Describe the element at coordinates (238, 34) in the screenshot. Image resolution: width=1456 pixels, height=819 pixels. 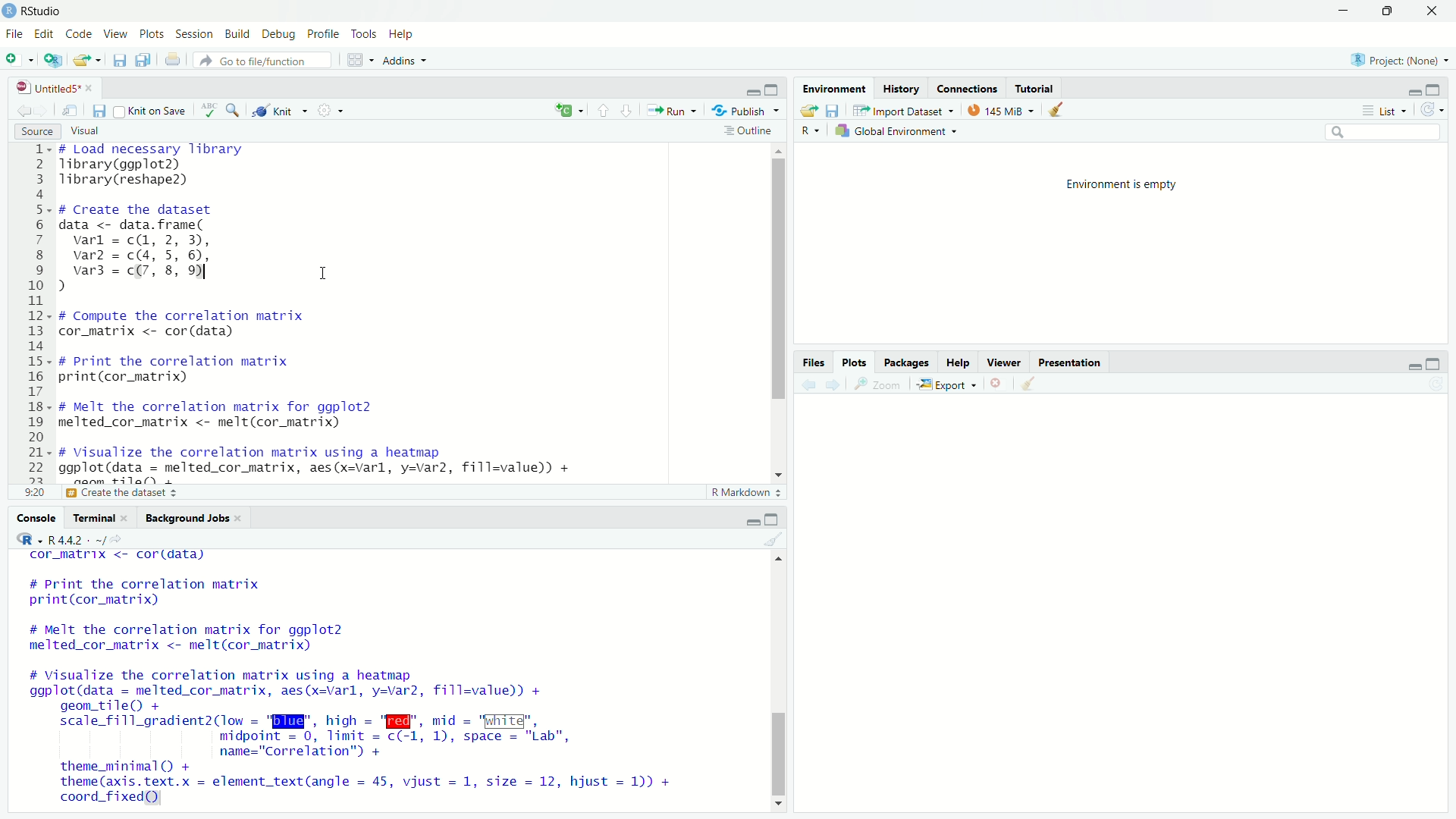
I see `build` at that location.